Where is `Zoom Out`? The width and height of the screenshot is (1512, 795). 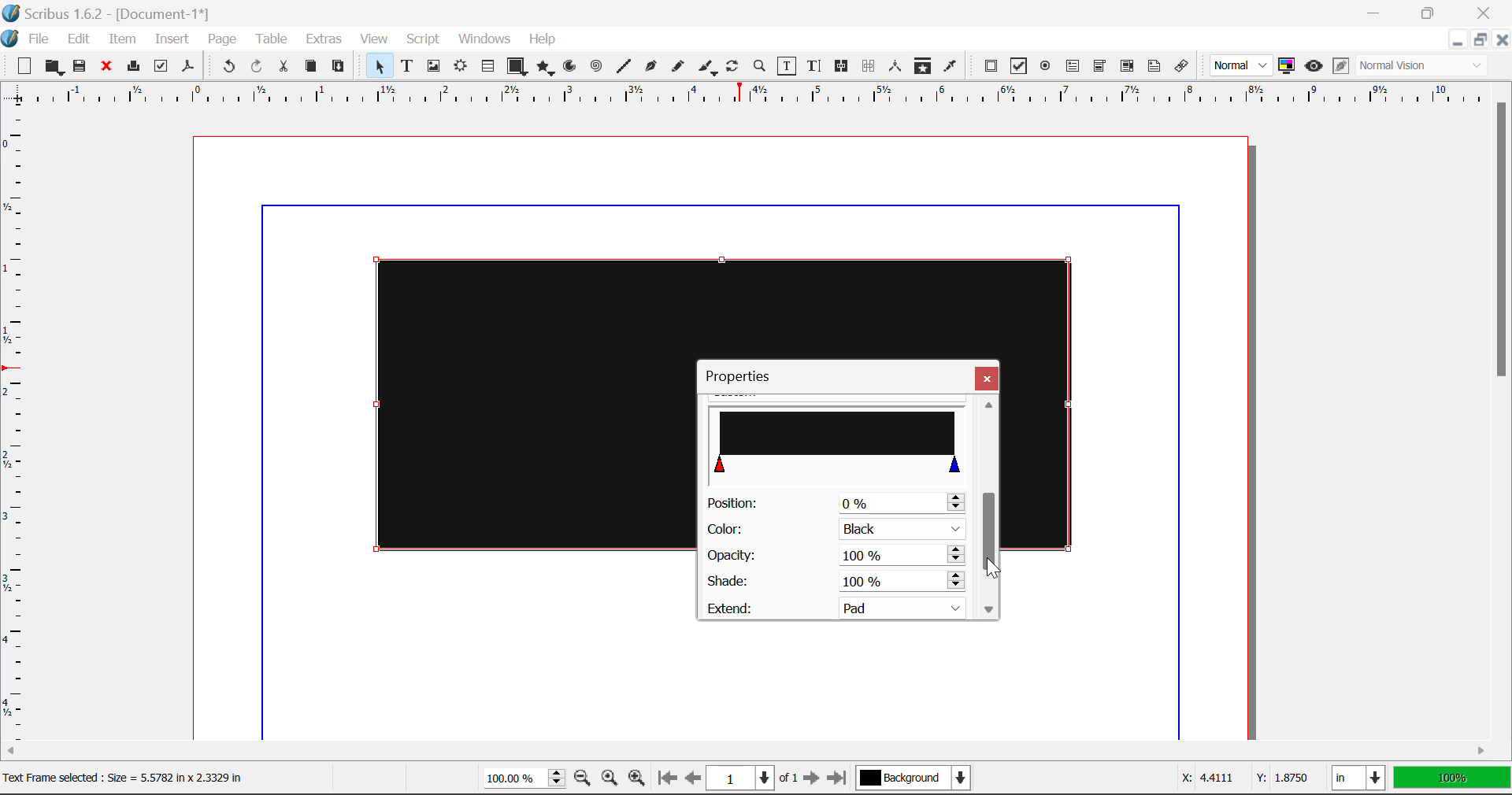 Zoom Out is located at coordinates (584, 779).